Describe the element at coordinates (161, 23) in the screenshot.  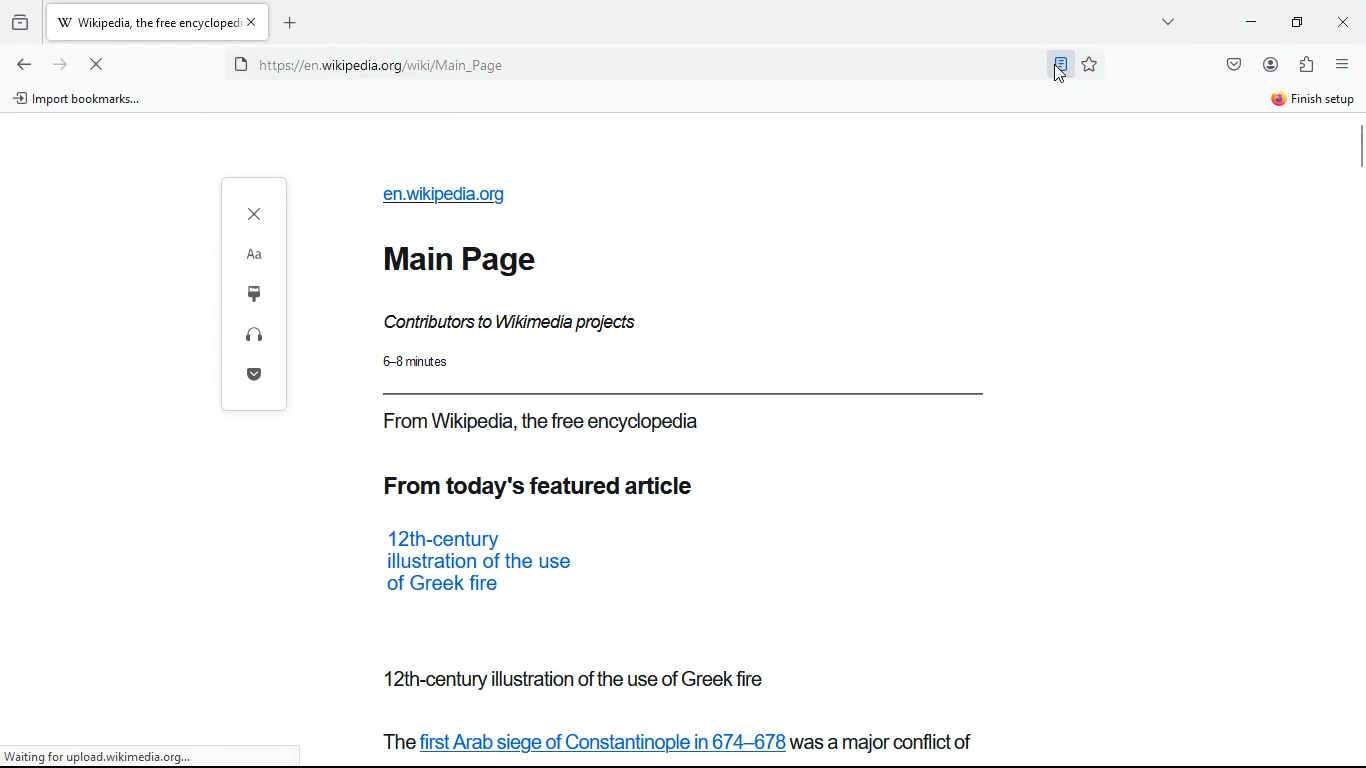
I see `tab` at that location.